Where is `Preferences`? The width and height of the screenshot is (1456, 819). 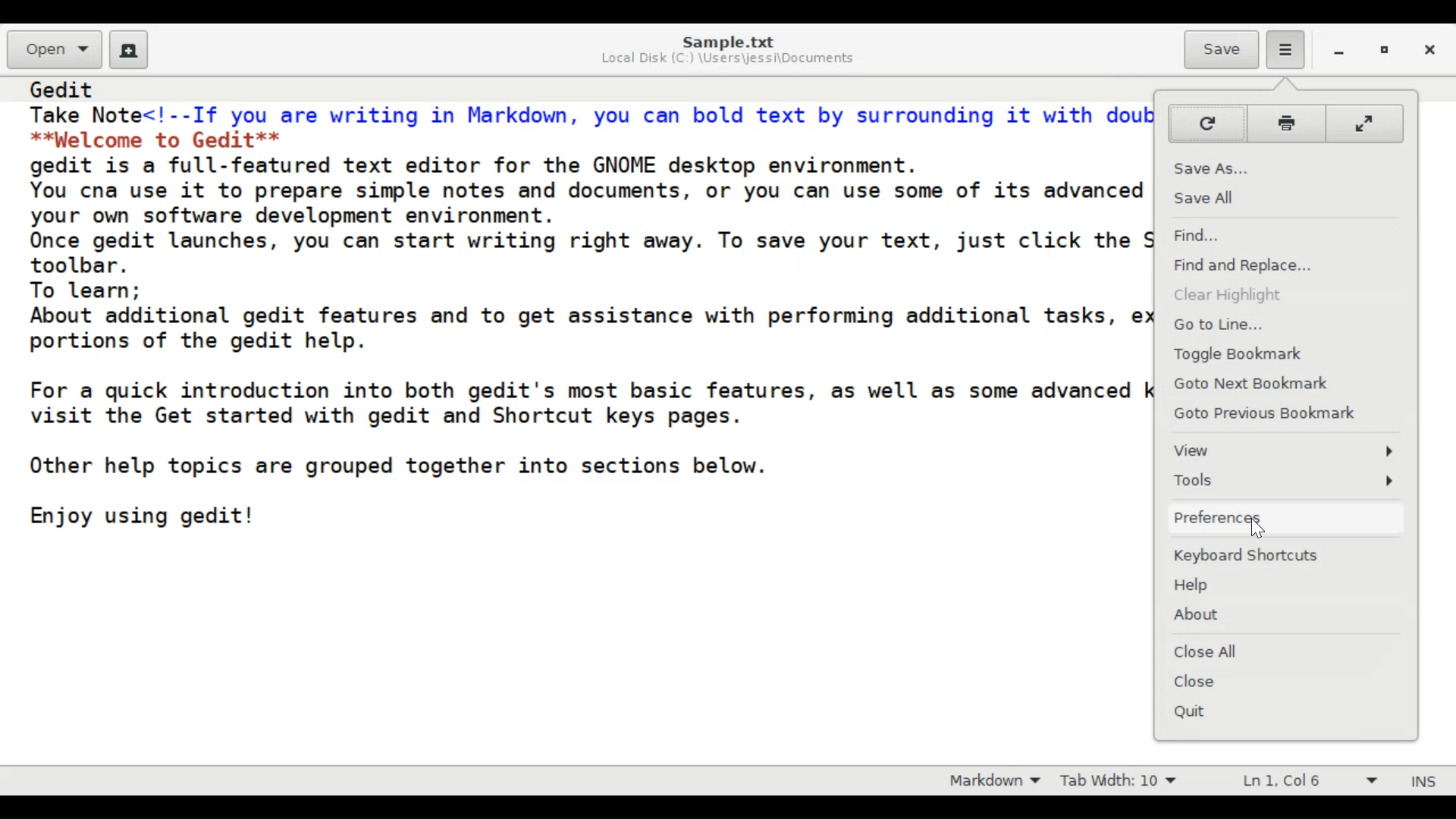
Preferences is located at coordinates (1286, 519).